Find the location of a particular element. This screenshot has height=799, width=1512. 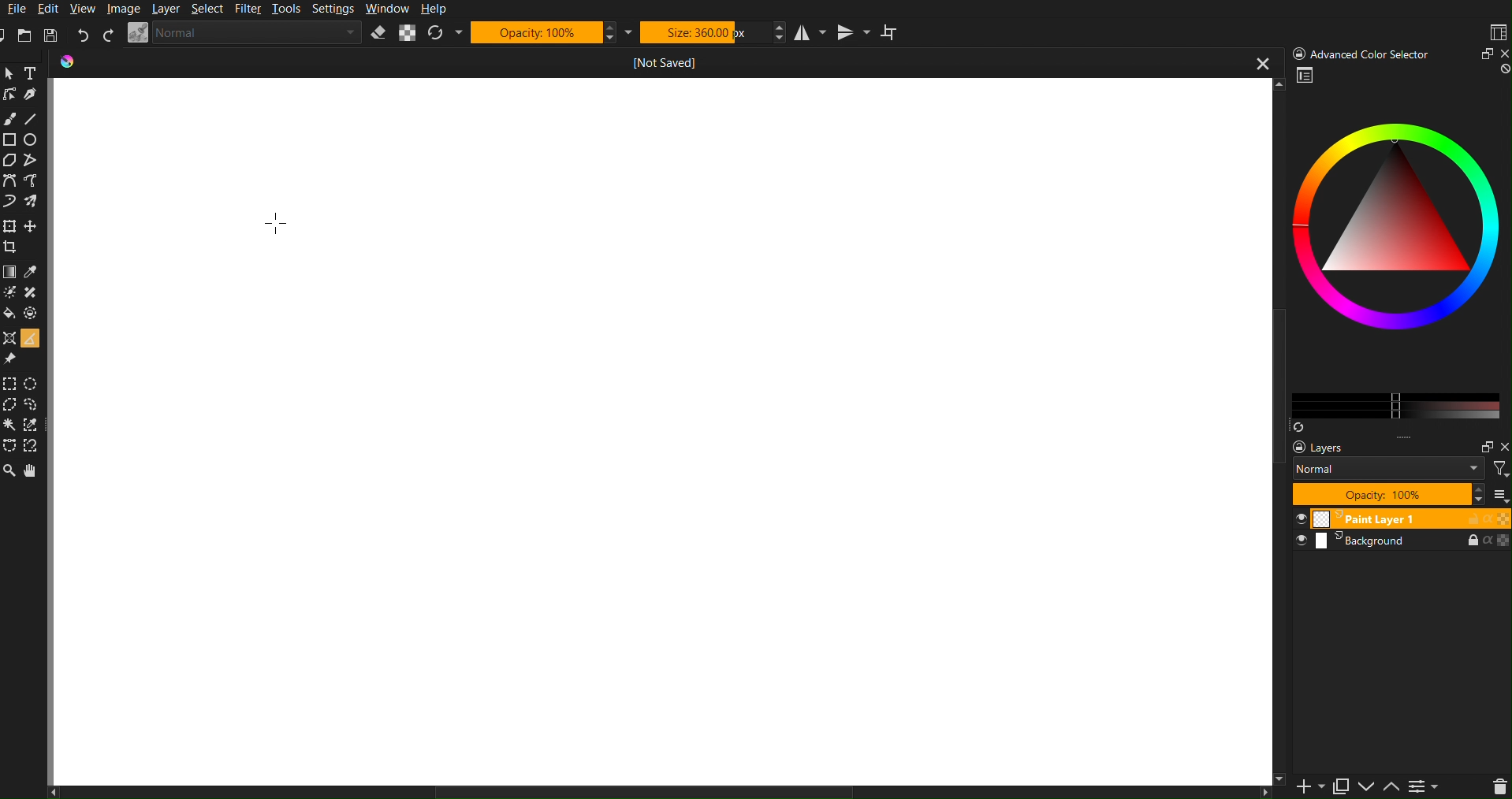

Move is located at coordinates (32, 470).